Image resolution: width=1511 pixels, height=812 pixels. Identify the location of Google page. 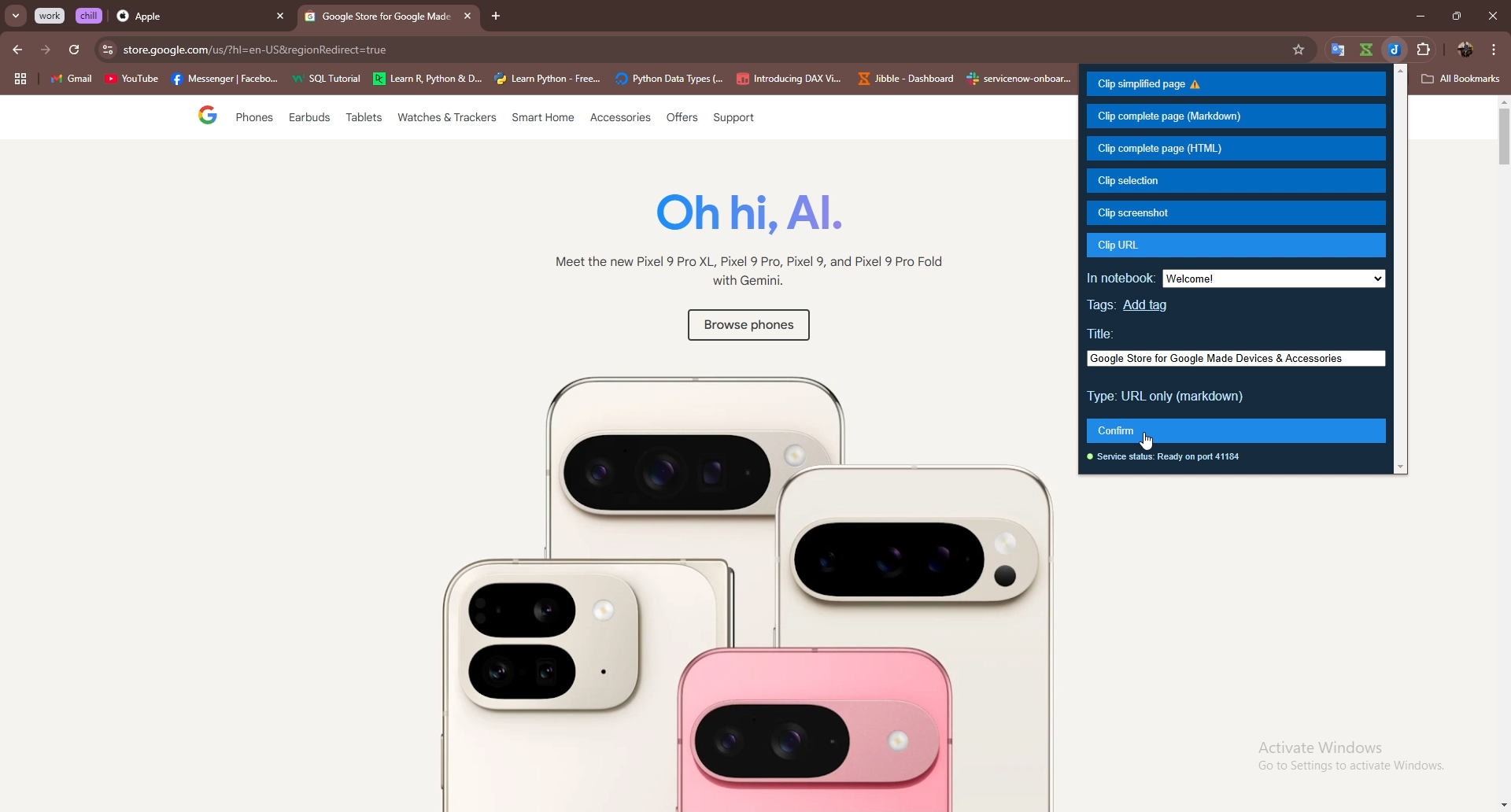
(194, 117).